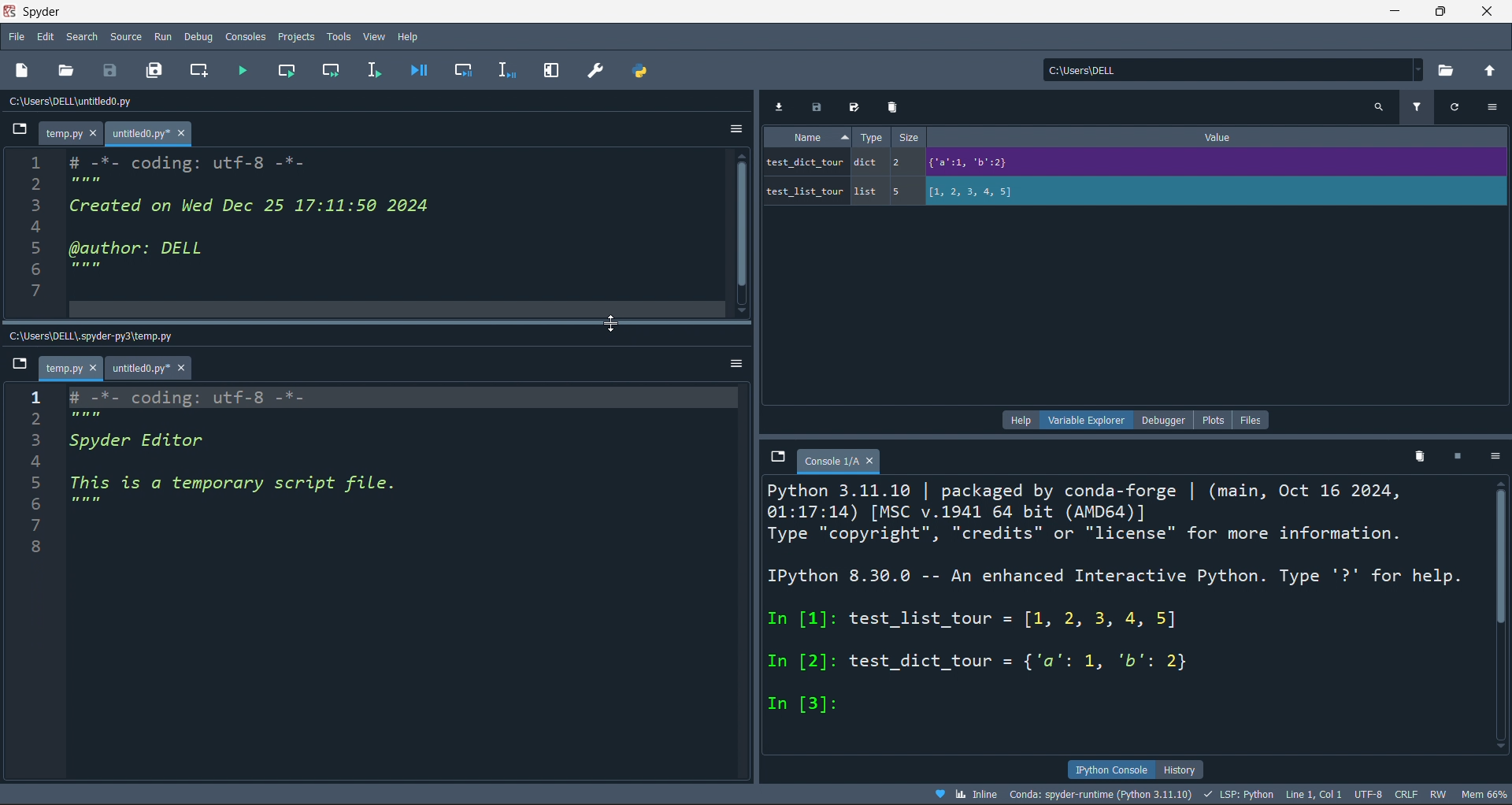  Describe the element at coordinates (83, 269) in the screenshot. I see `6 '''''''` at that location.